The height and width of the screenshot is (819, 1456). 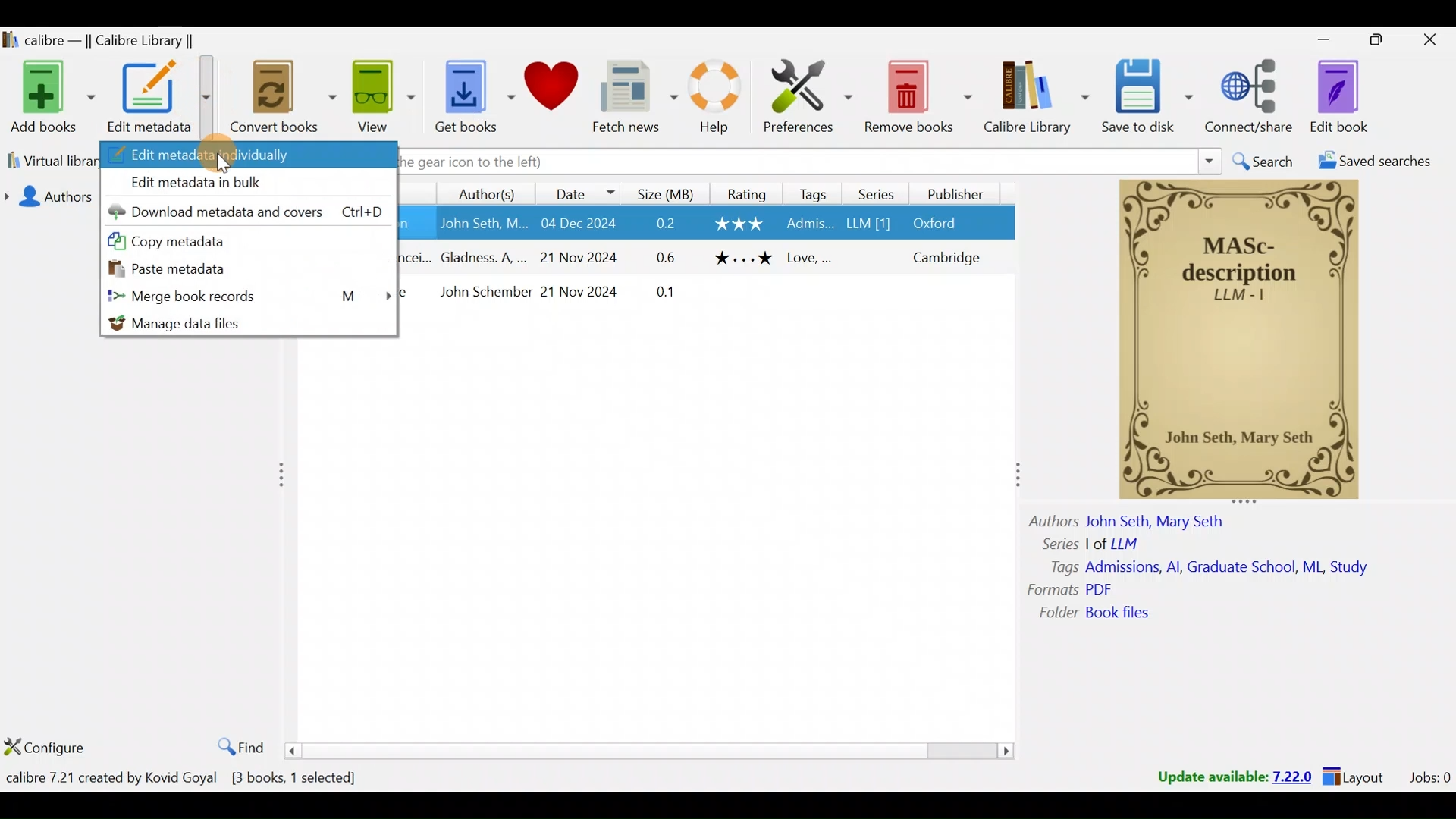 What do you see at coordinates (186, 778) in the screenshot?
I see `Books count` at bounding box center [186, 778].